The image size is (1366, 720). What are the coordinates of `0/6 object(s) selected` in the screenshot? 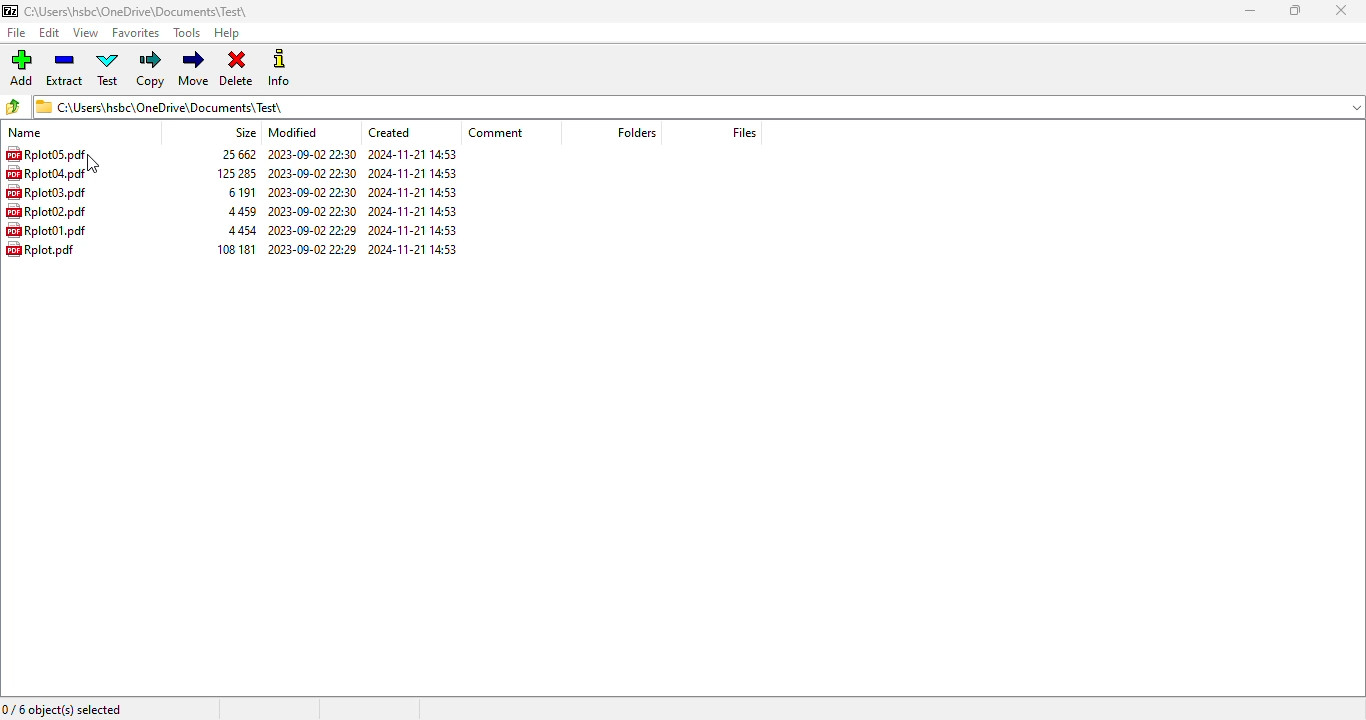 It's located at (64, 710).